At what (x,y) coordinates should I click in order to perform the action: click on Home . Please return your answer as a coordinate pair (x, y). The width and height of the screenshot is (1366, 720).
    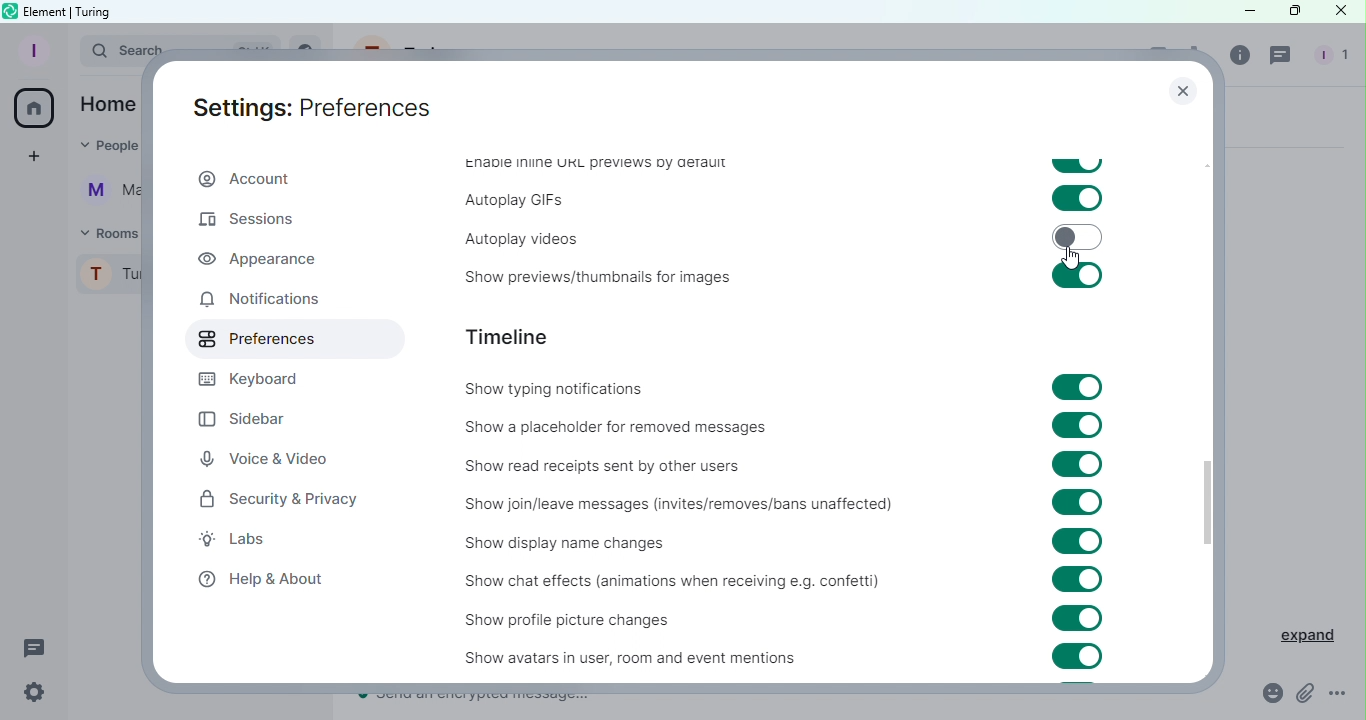
    Looking at the image, I should click on (108, 103).